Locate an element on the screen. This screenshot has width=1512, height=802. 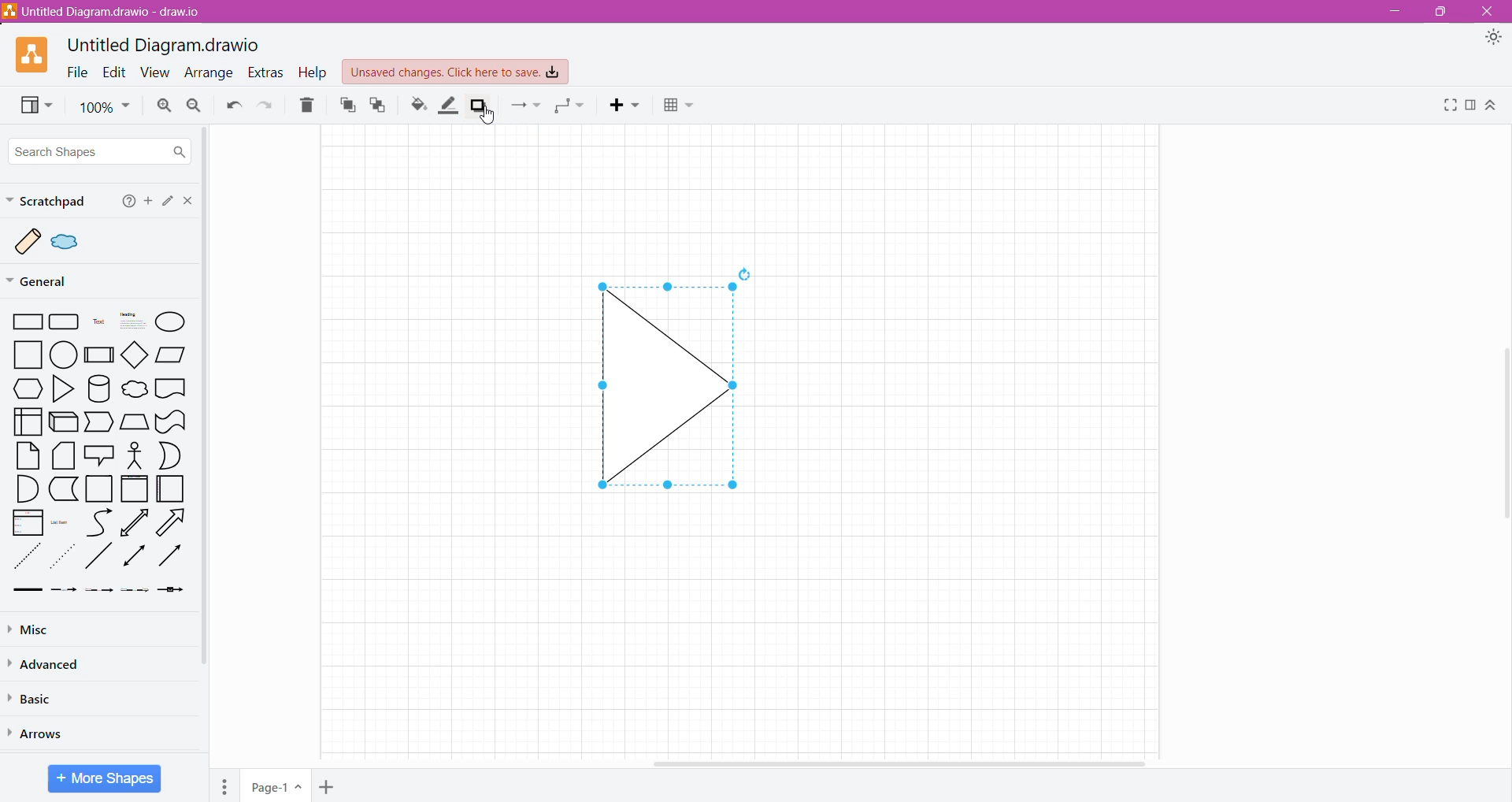
Basic is located at coordinates (34, 699).